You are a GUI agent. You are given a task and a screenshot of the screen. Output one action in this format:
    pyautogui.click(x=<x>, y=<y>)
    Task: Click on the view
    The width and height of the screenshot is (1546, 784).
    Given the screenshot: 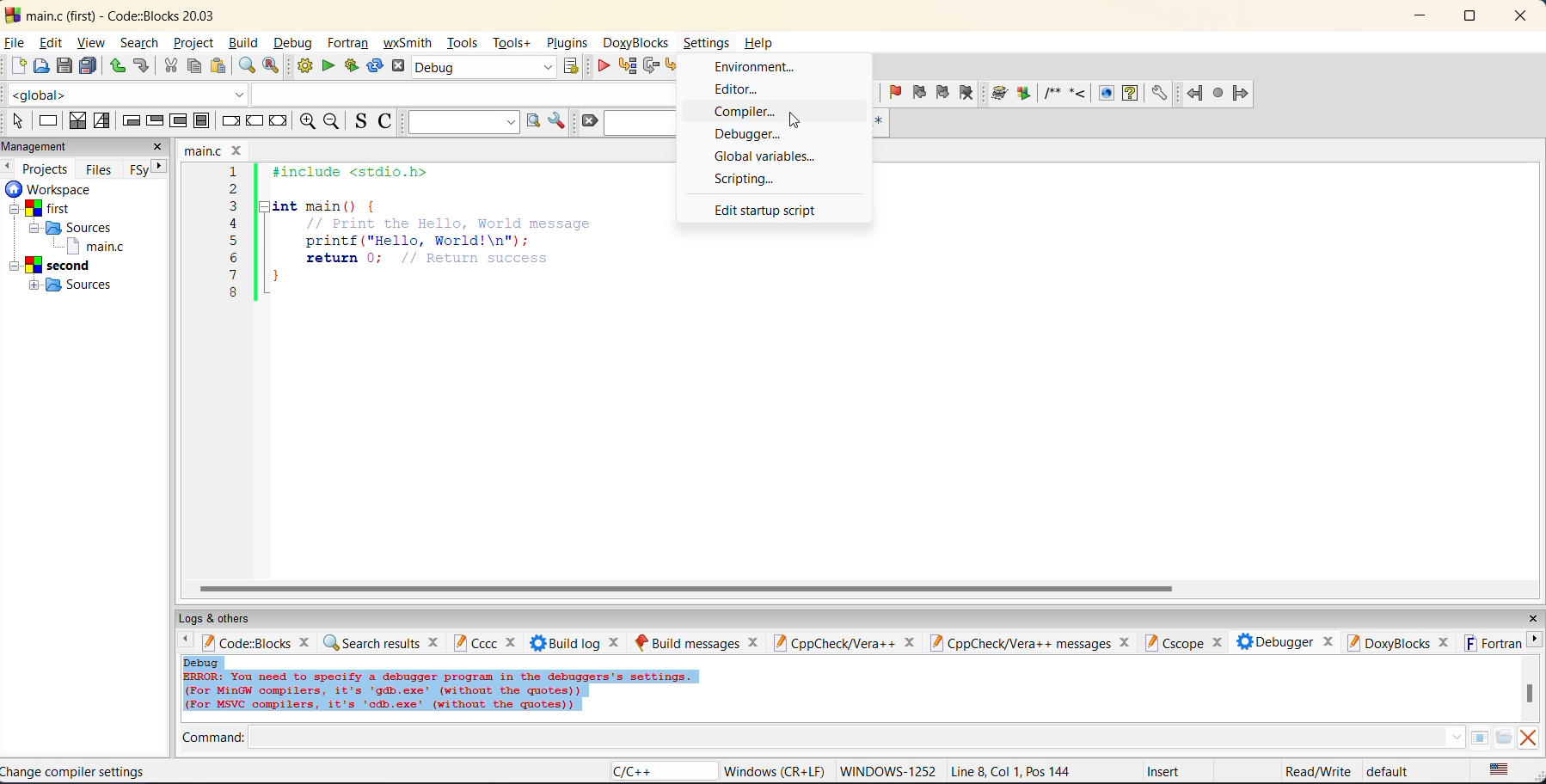 What is the action you would take?
    pyautogui.click(x=92, y=42)
    